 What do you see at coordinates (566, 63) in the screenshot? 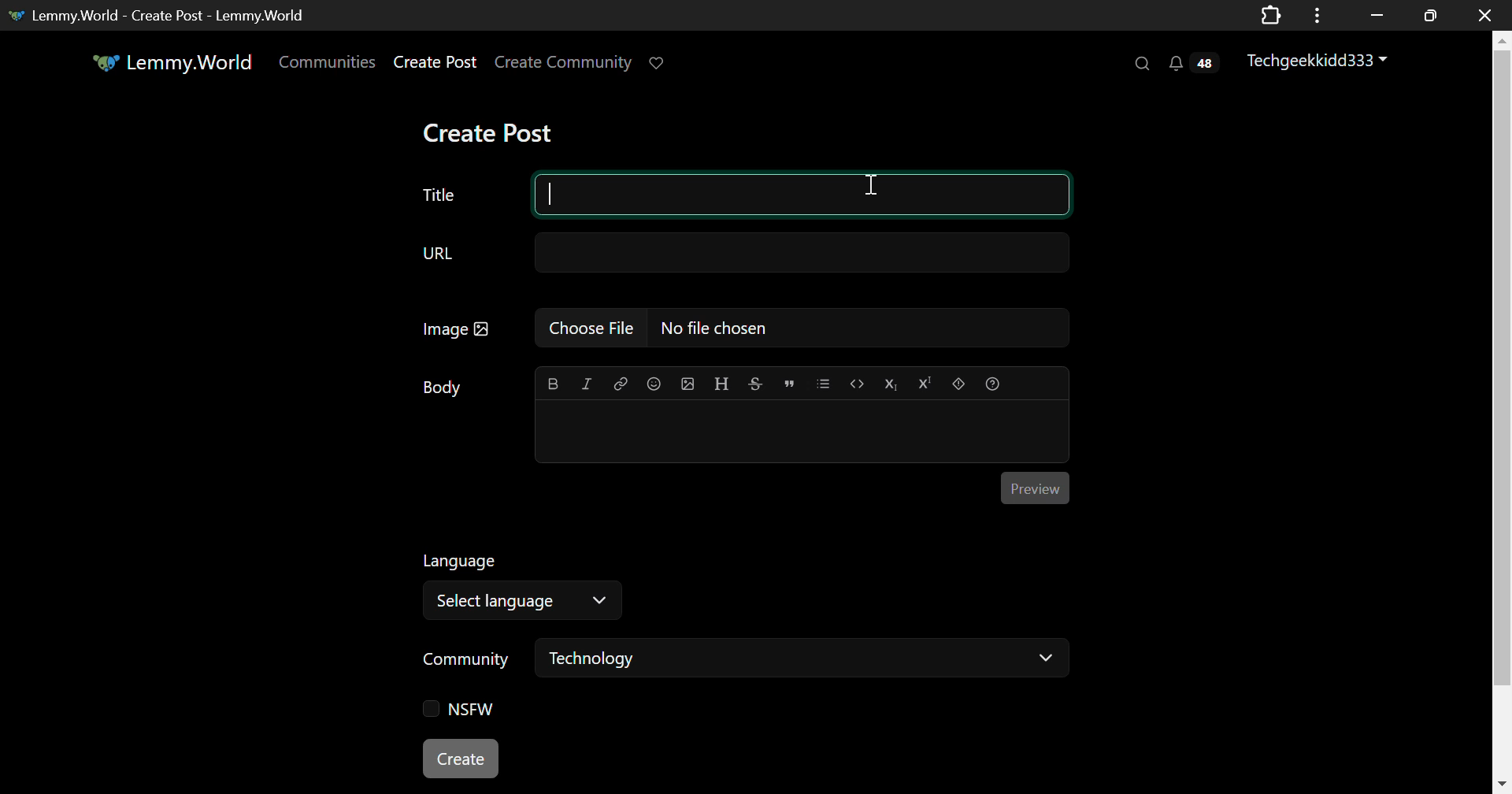
I see `Create Community` at bounding box center [566, 63].